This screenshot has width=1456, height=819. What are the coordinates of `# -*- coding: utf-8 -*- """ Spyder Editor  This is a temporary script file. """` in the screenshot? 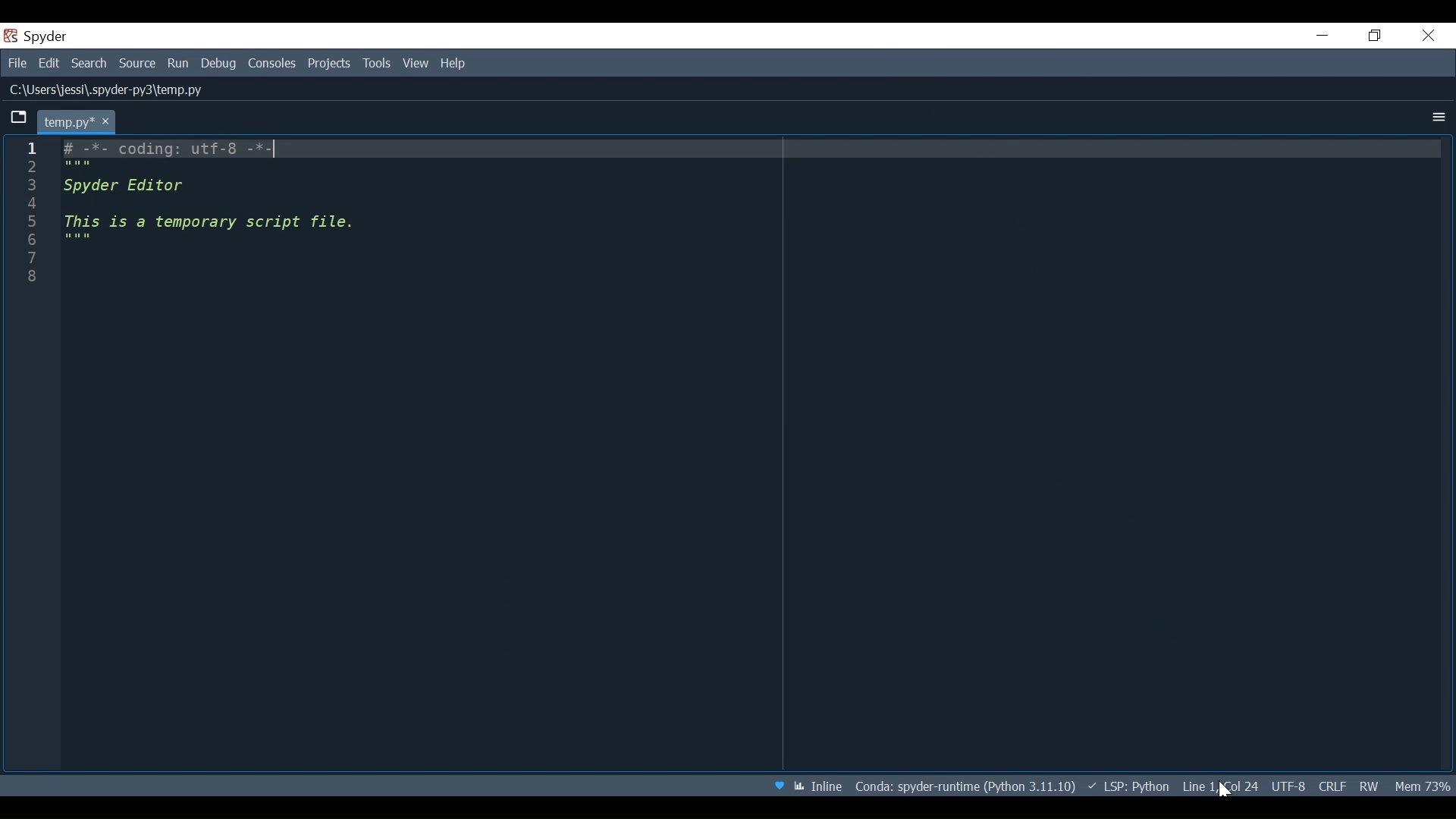 It's located at (761, 456).